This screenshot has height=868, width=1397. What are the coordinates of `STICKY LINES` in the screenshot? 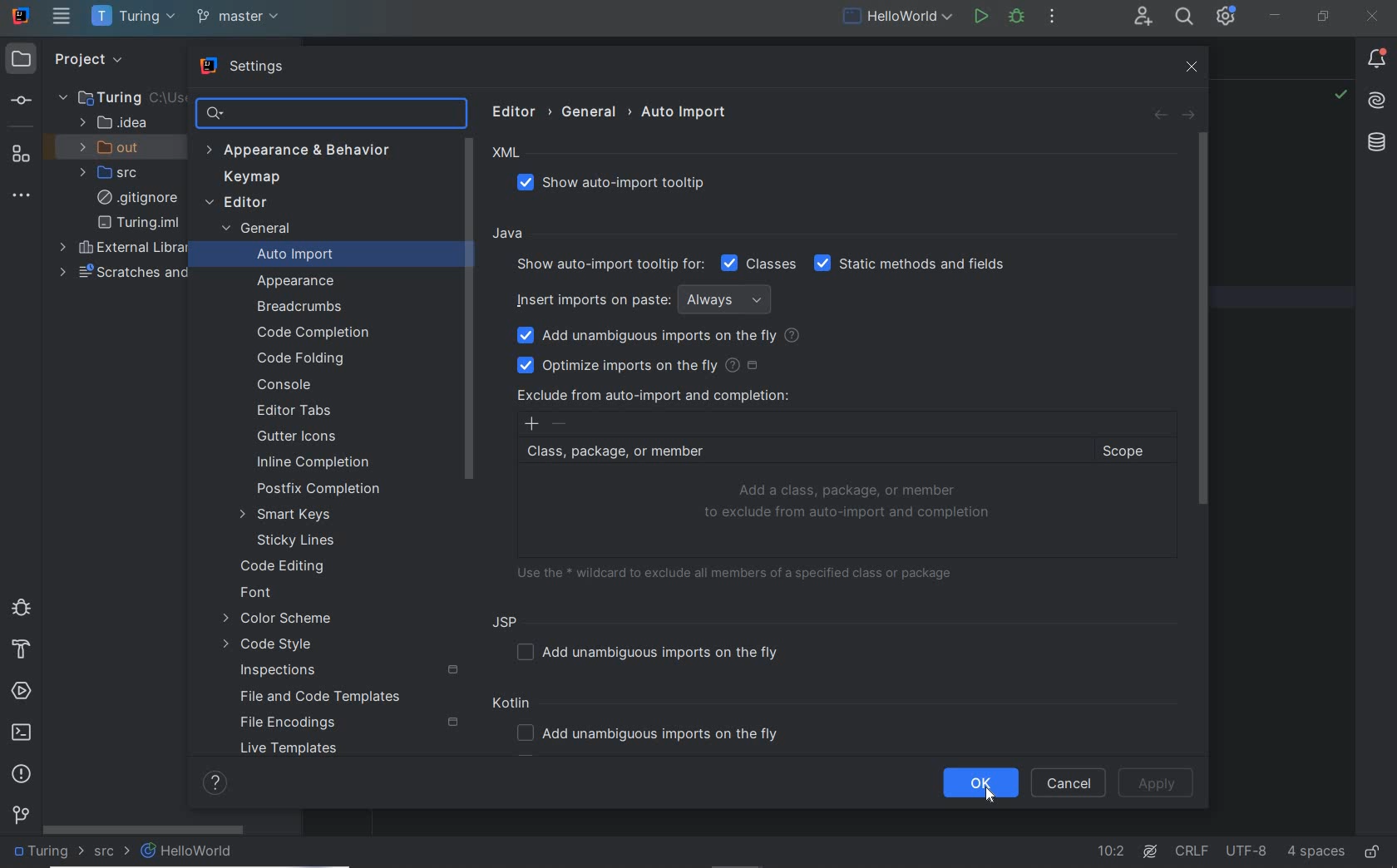 It's located at (298, 540).